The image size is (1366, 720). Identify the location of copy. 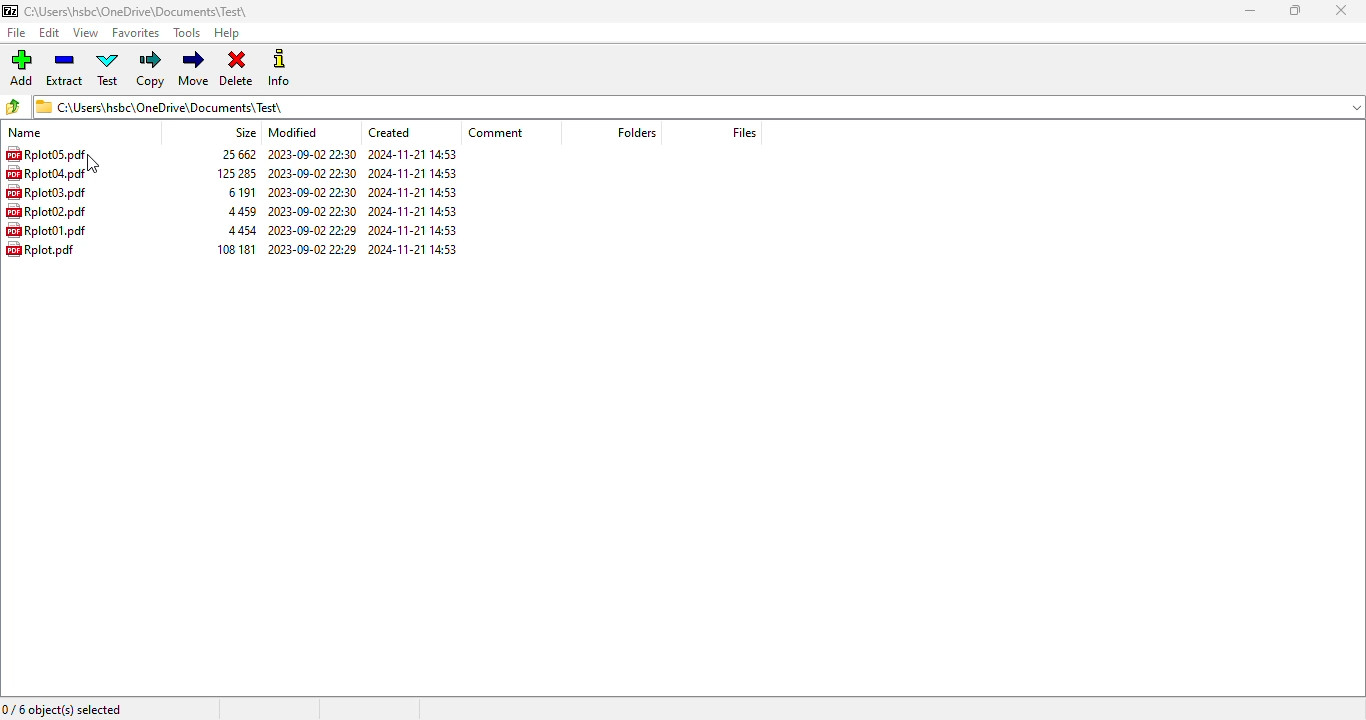
(151, 69).